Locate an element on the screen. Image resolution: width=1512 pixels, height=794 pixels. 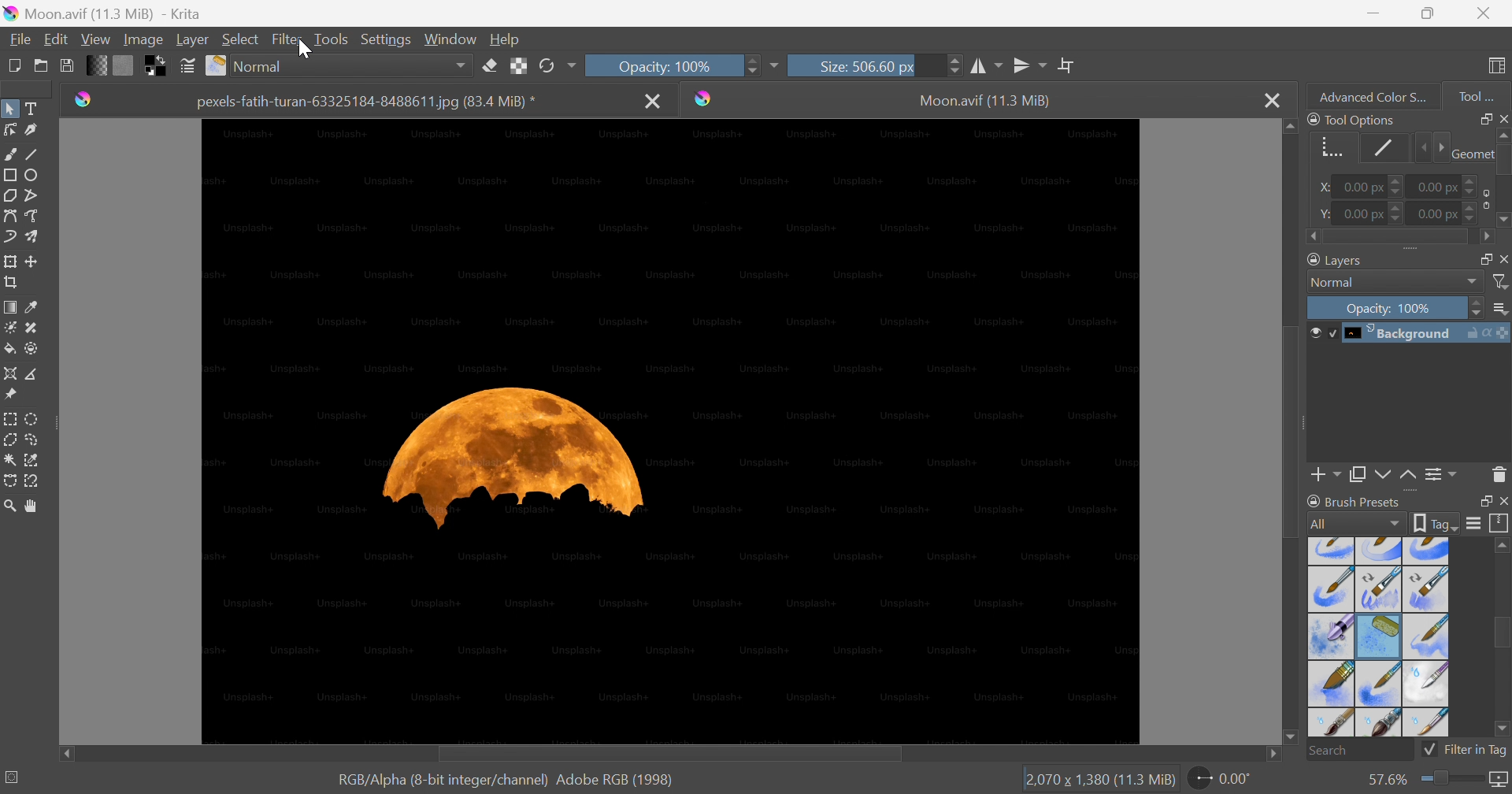
Edit is located at coordinates (57, 39).